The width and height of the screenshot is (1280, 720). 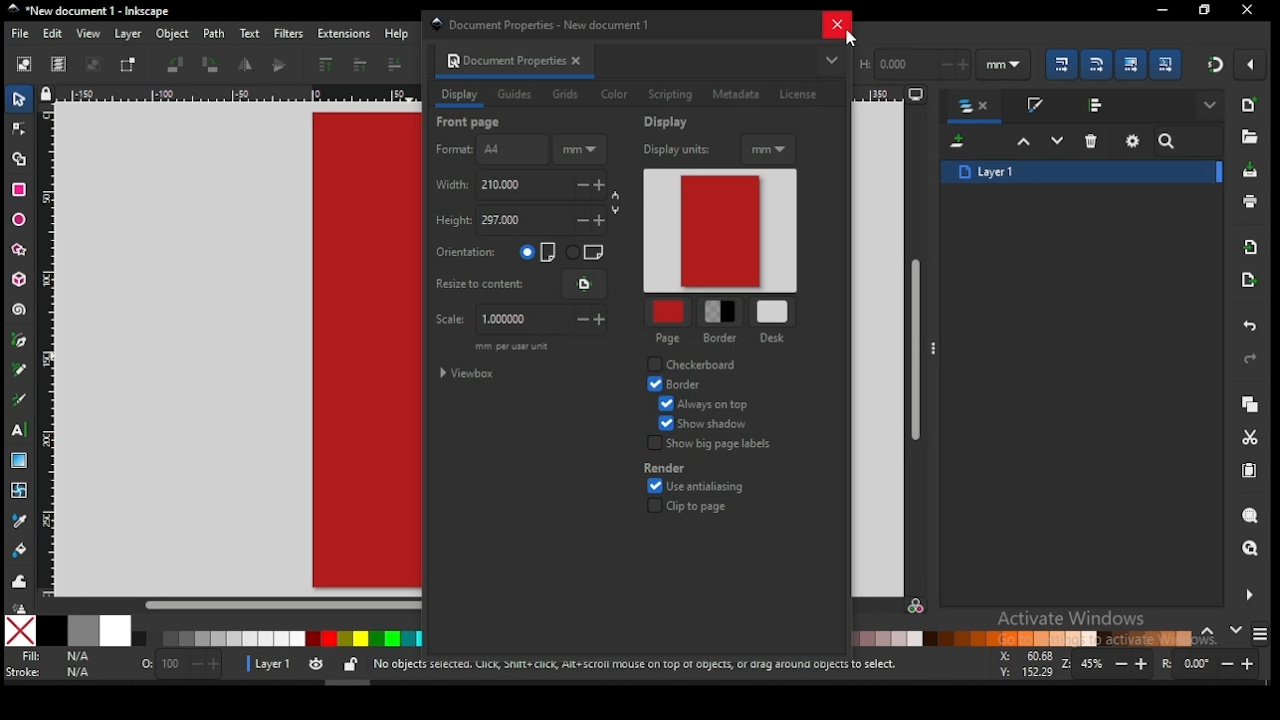 What do you see at coordinates (1214, 664) in the screenshot?
I see `rotation` at bounding box center [1214, 664].